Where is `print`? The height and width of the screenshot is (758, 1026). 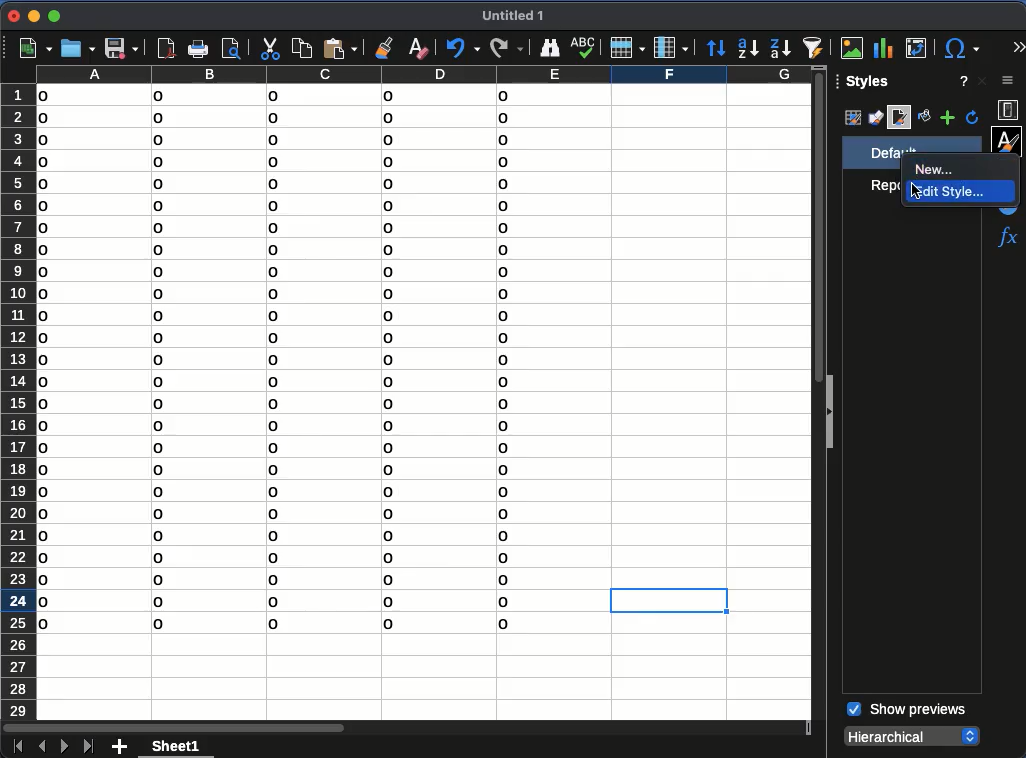 print is located at coordinates (198, 49).